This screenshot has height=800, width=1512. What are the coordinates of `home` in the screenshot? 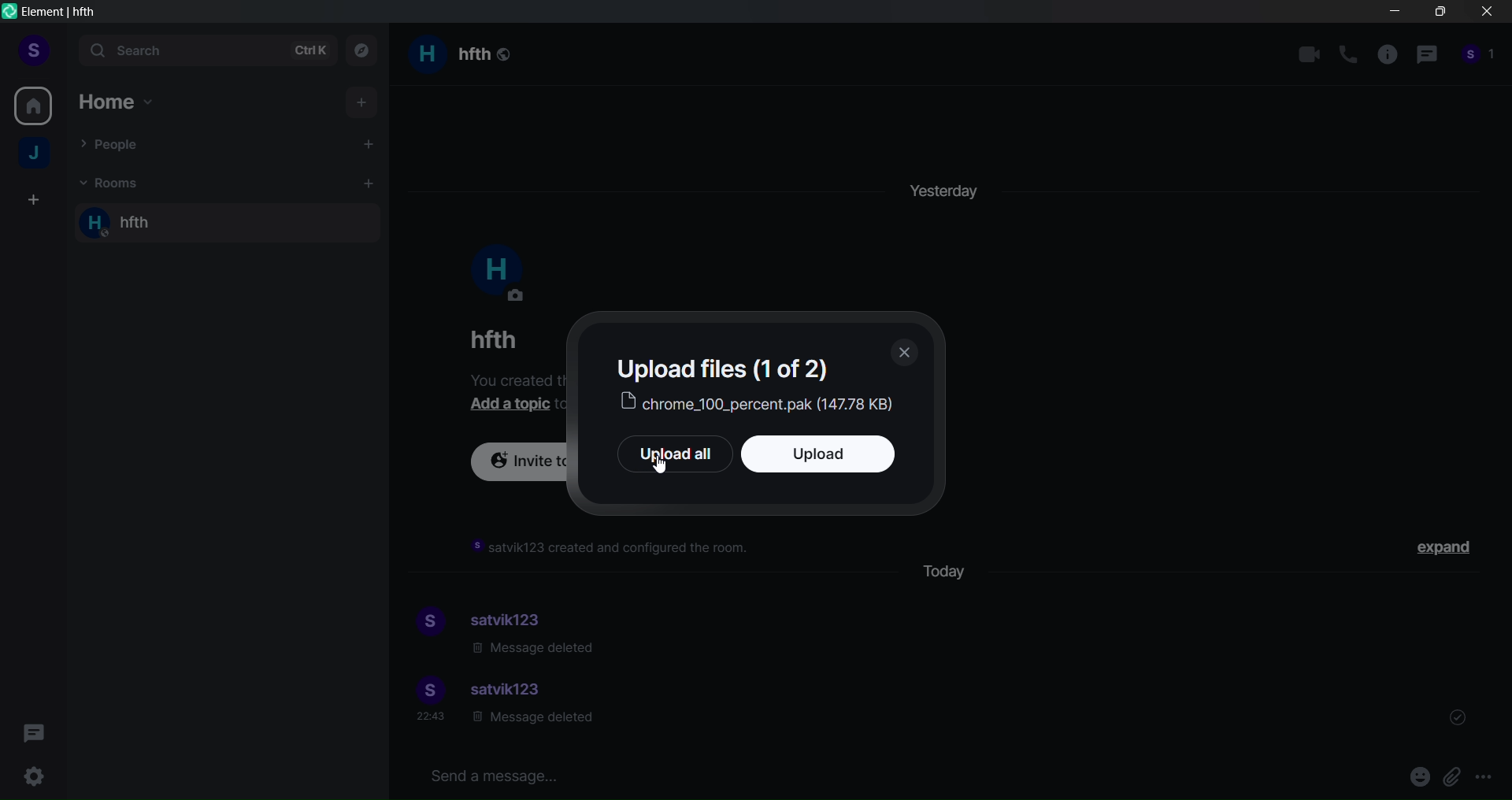 It's located at (34, 103).